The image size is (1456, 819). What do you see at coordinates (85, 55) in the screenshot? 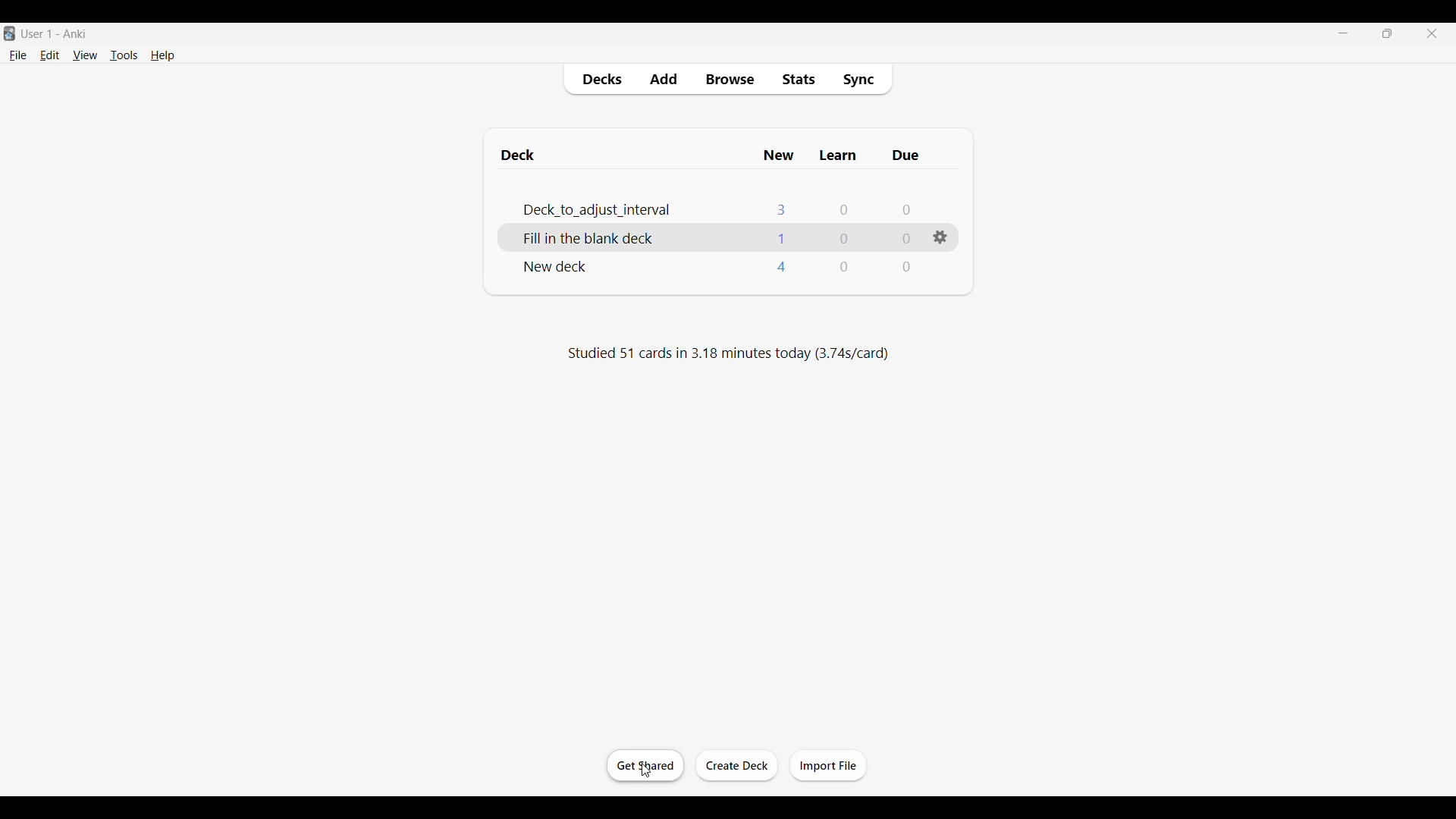
I see `View menu` at bounding box center [85, 55].